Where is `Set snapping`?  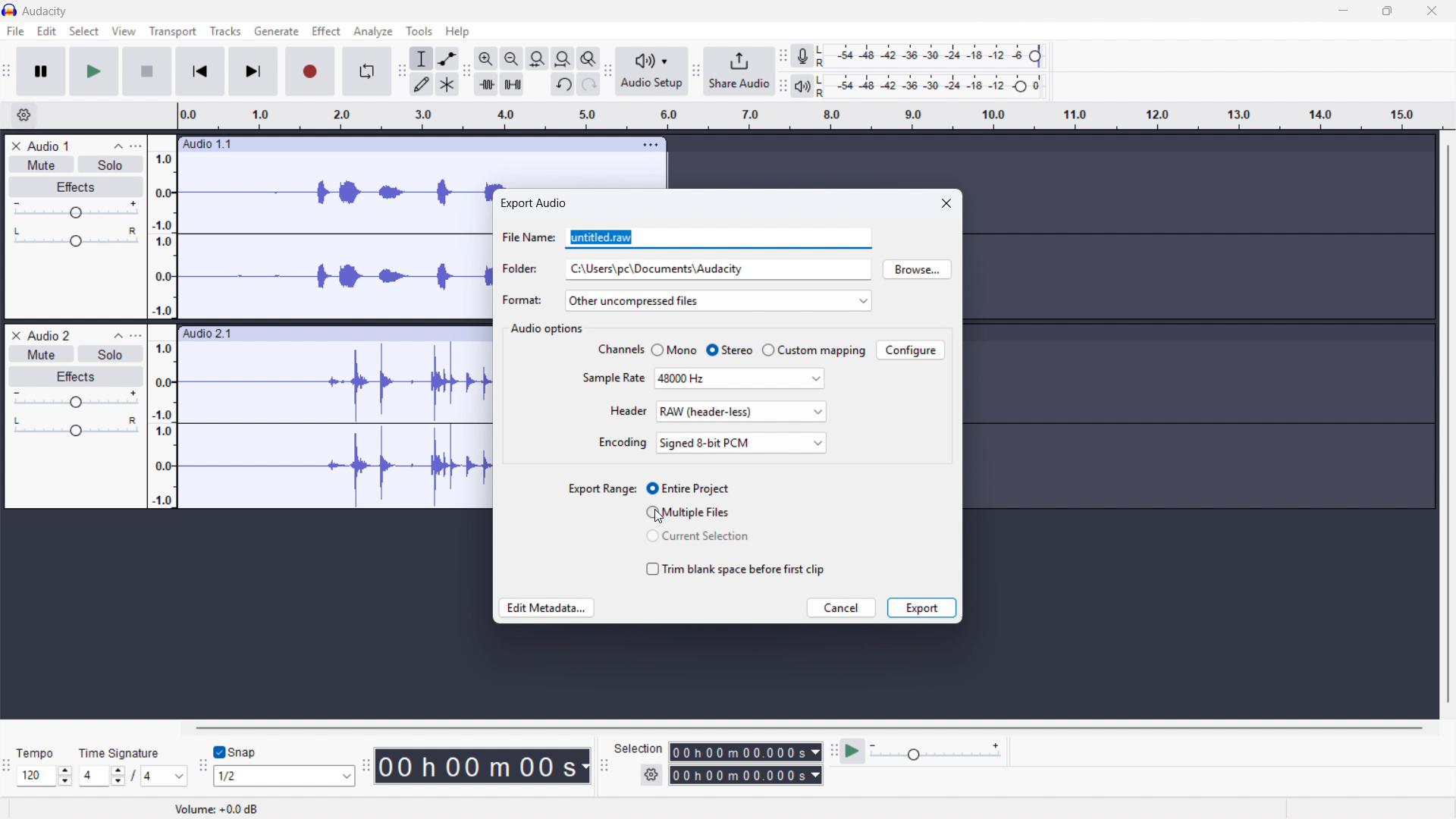
Set snapping is located at coordinates (285, 776).